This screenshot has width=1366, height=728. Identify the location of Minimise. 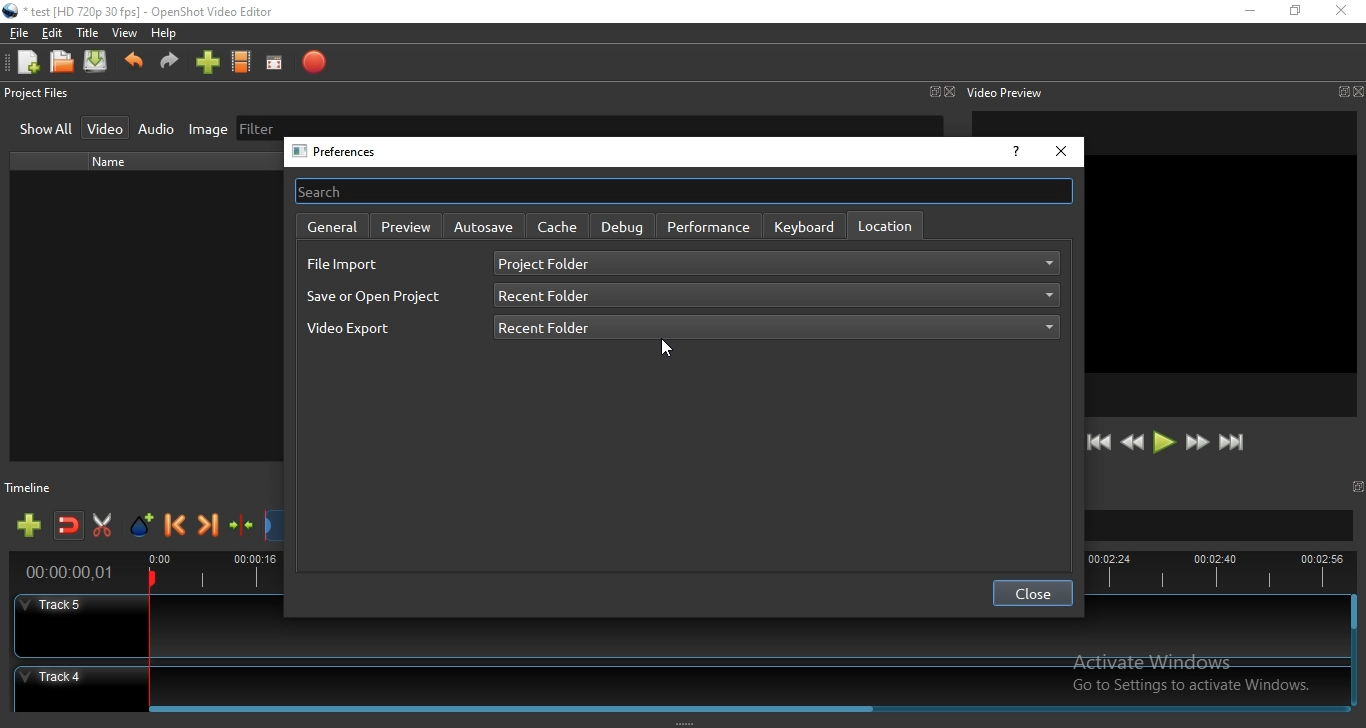
(1249, 12).